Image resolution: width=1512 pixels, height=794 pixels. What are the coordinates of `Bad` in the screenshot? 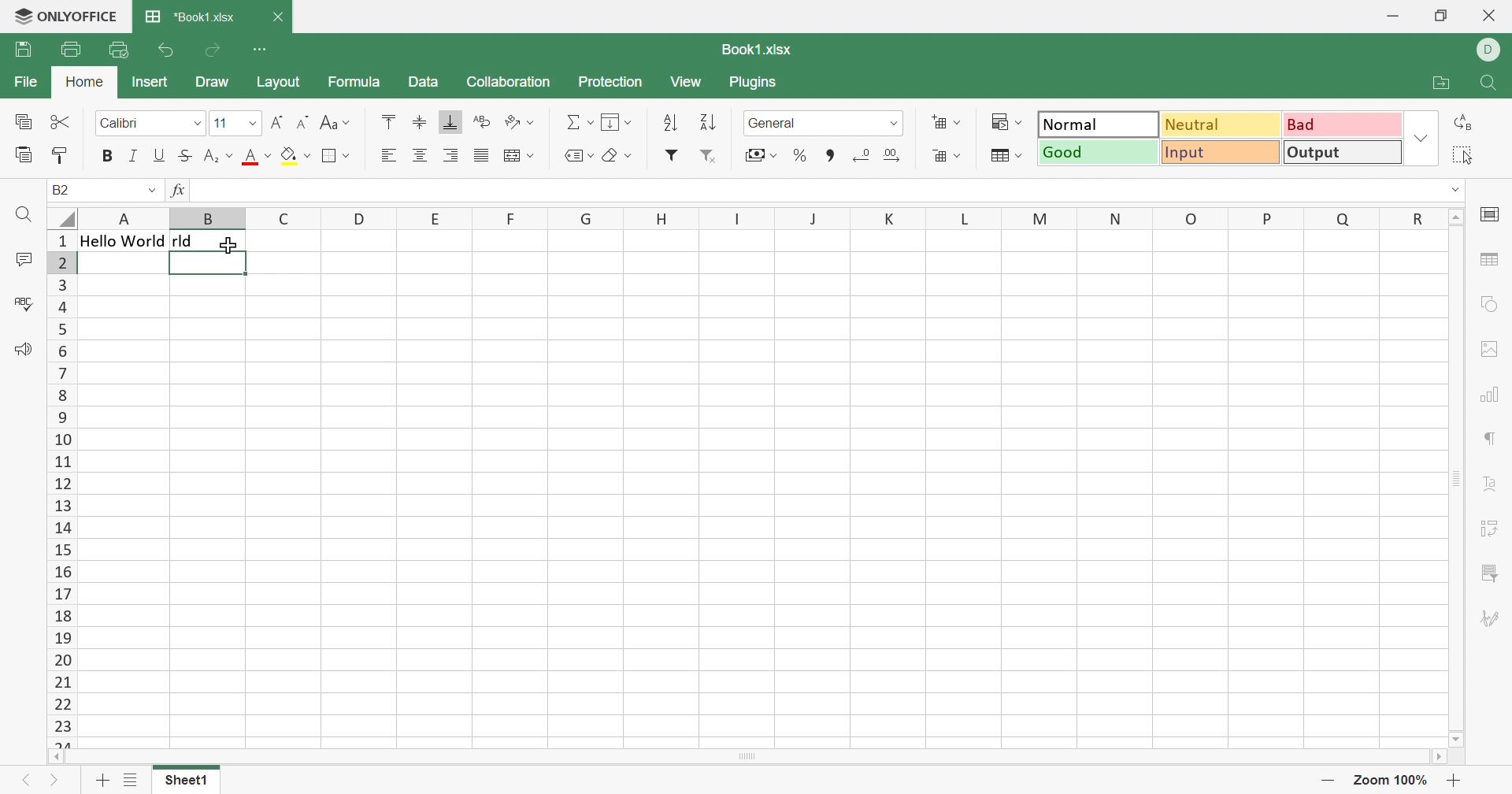 It's located at (1340, 125).